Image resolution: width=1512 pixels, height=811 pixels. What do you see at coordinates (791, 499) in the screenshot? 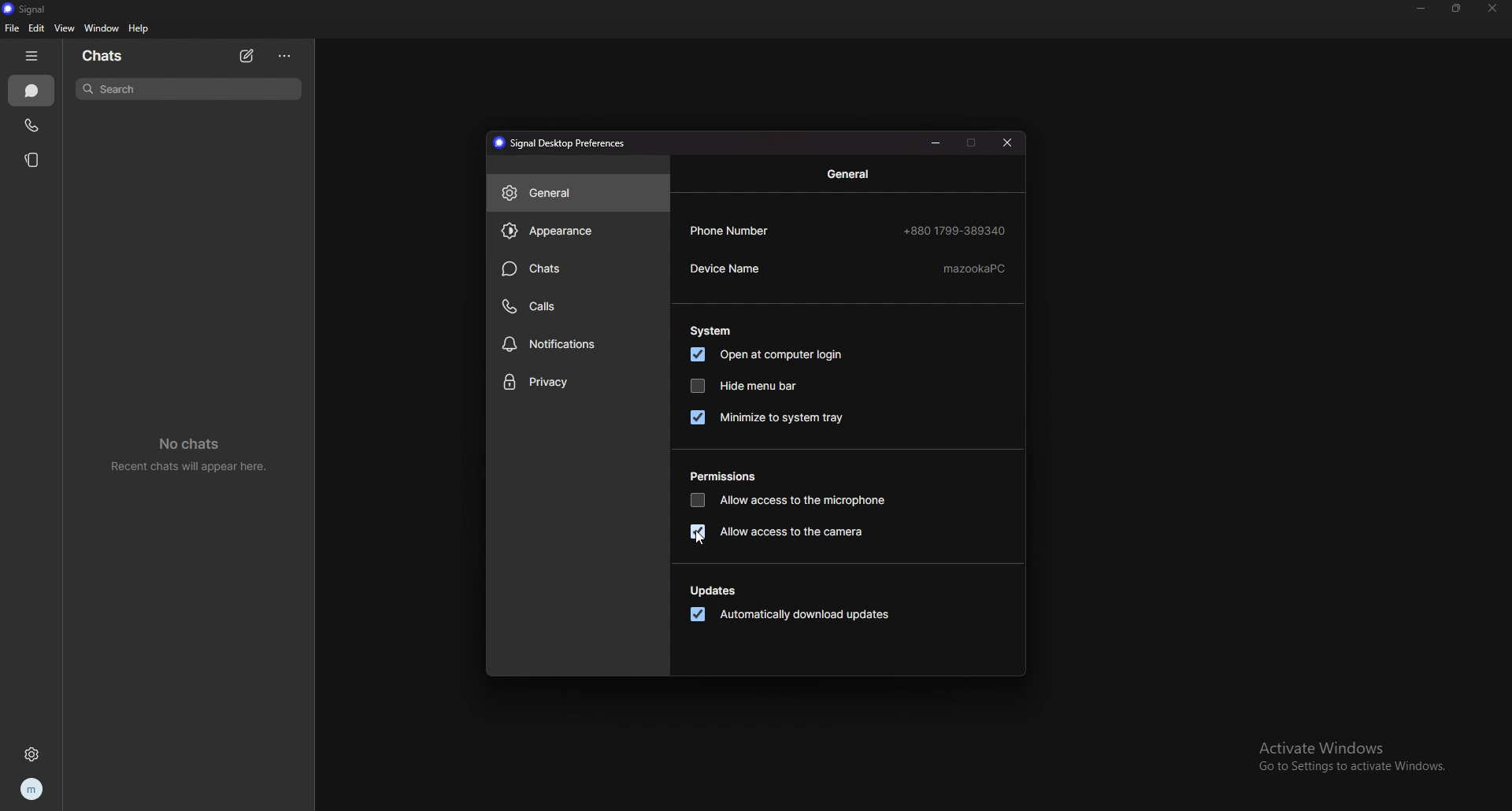
I see `allow acces to microphone` at bounding box center [791, 499].